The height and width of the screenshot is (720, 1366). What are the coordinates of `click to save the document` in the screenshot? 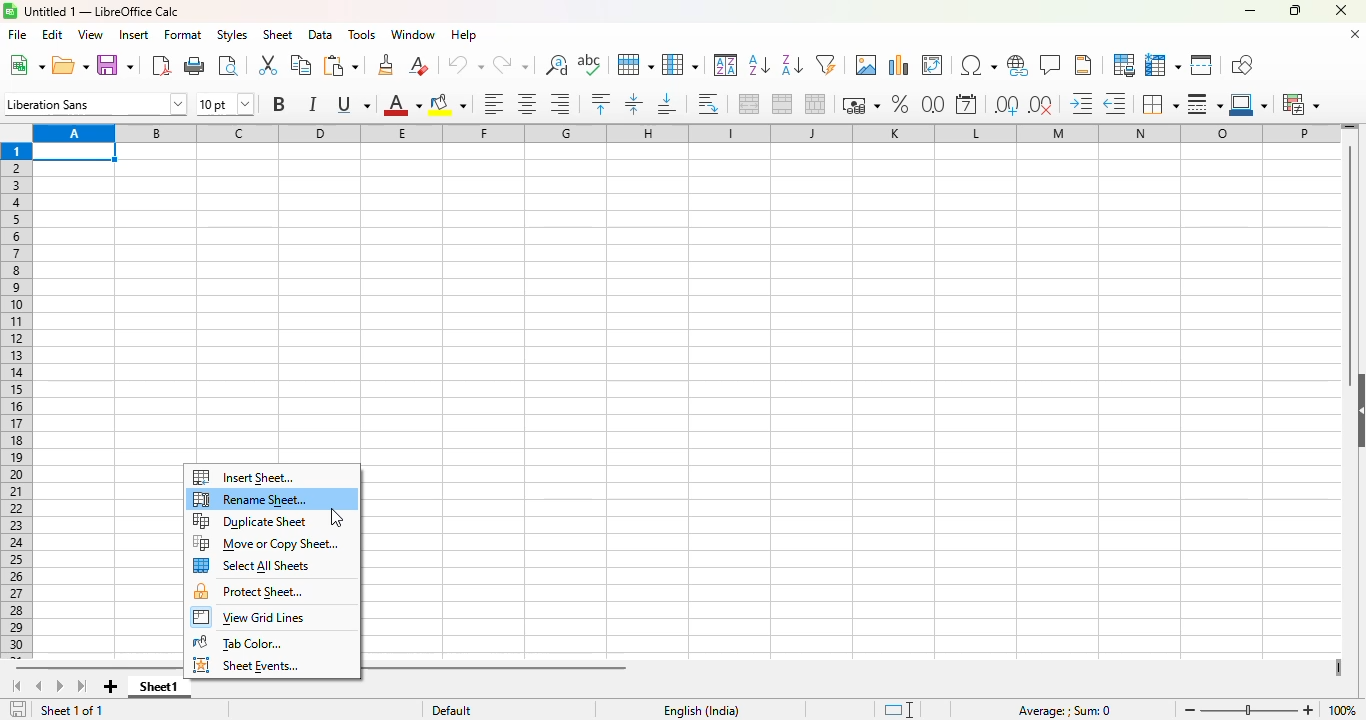 It's located at (18, 708).